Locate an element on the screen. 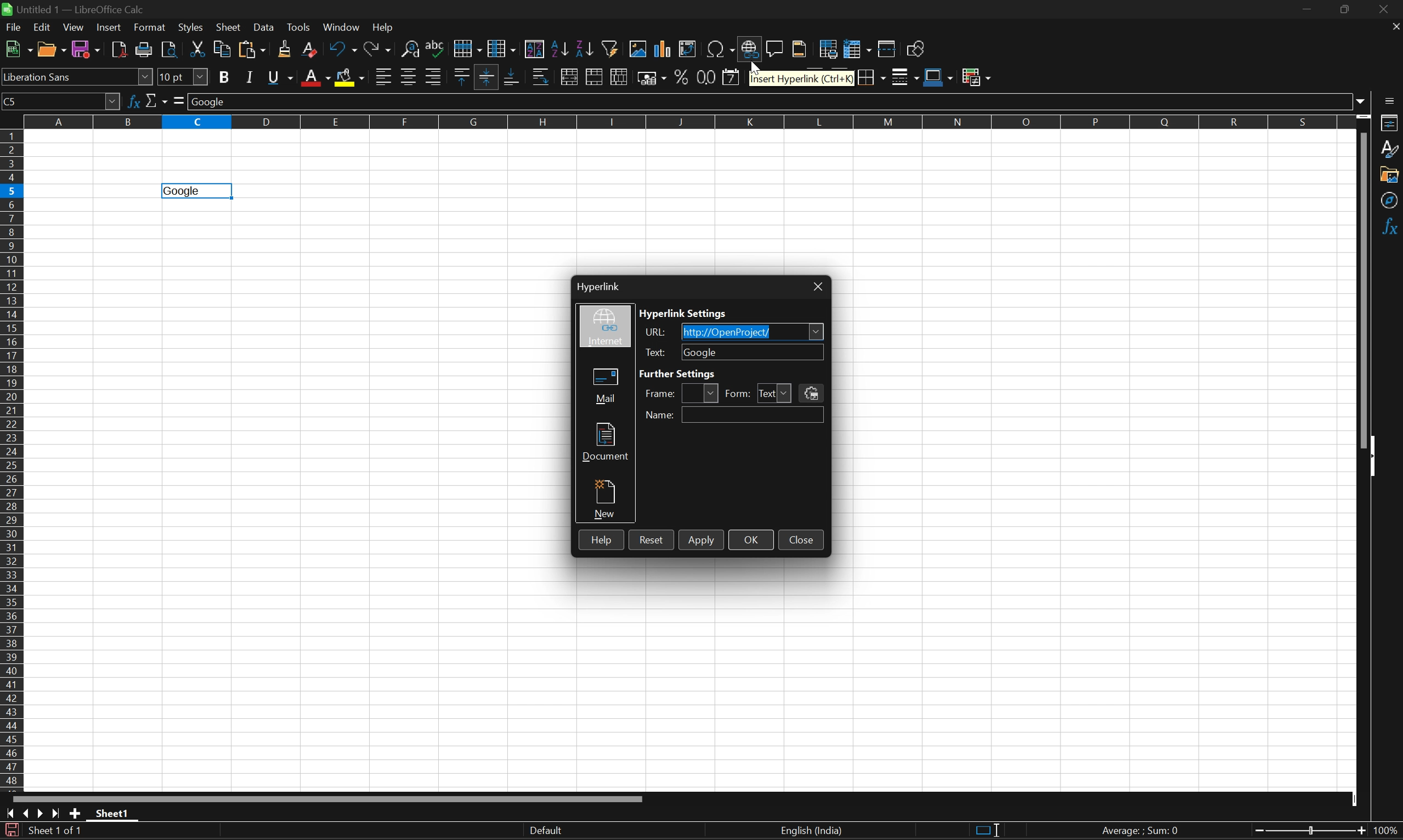  Borders is located at coordinates (871, 77).